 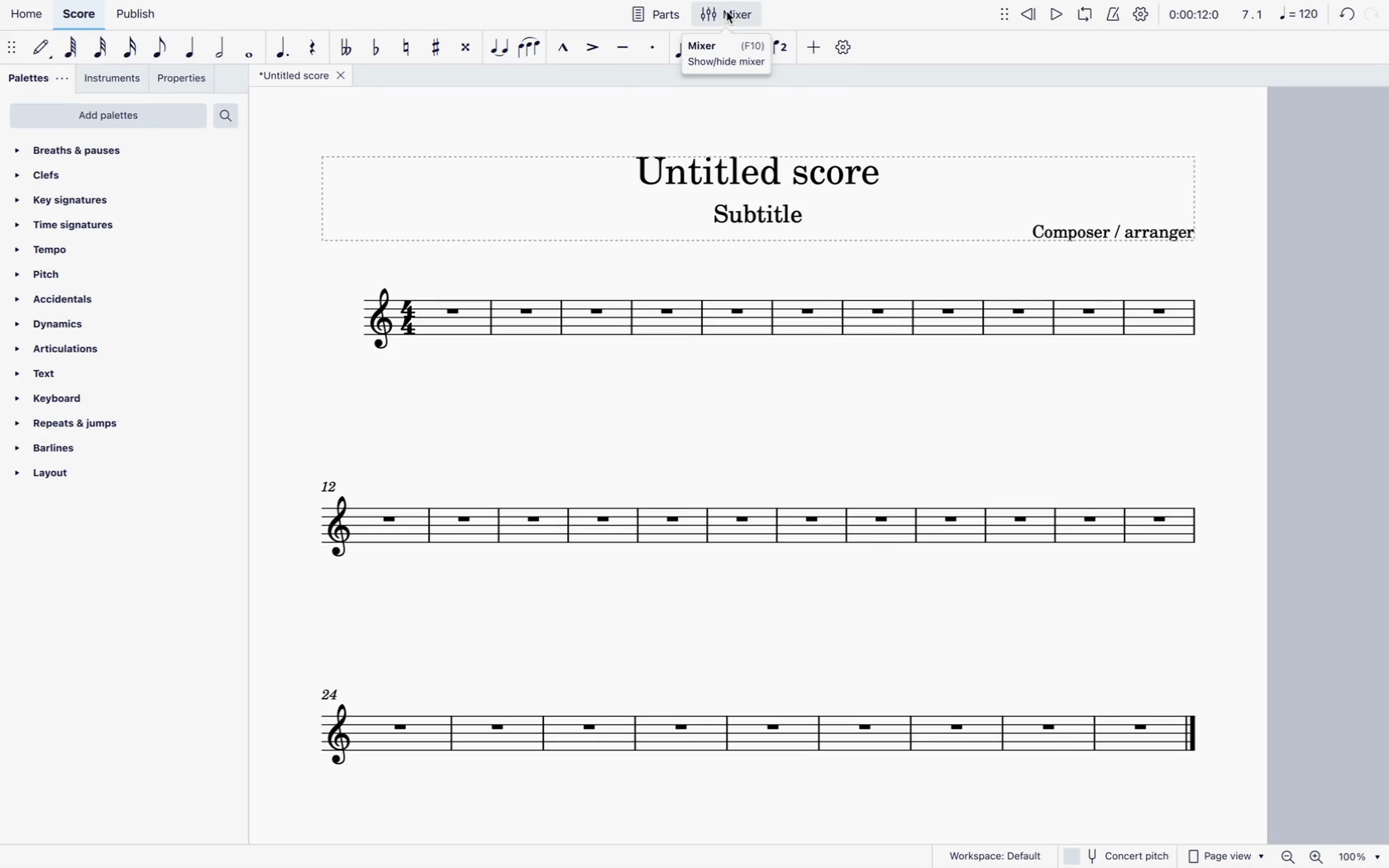 I want to click on page view, so click(x=1224, y=856).